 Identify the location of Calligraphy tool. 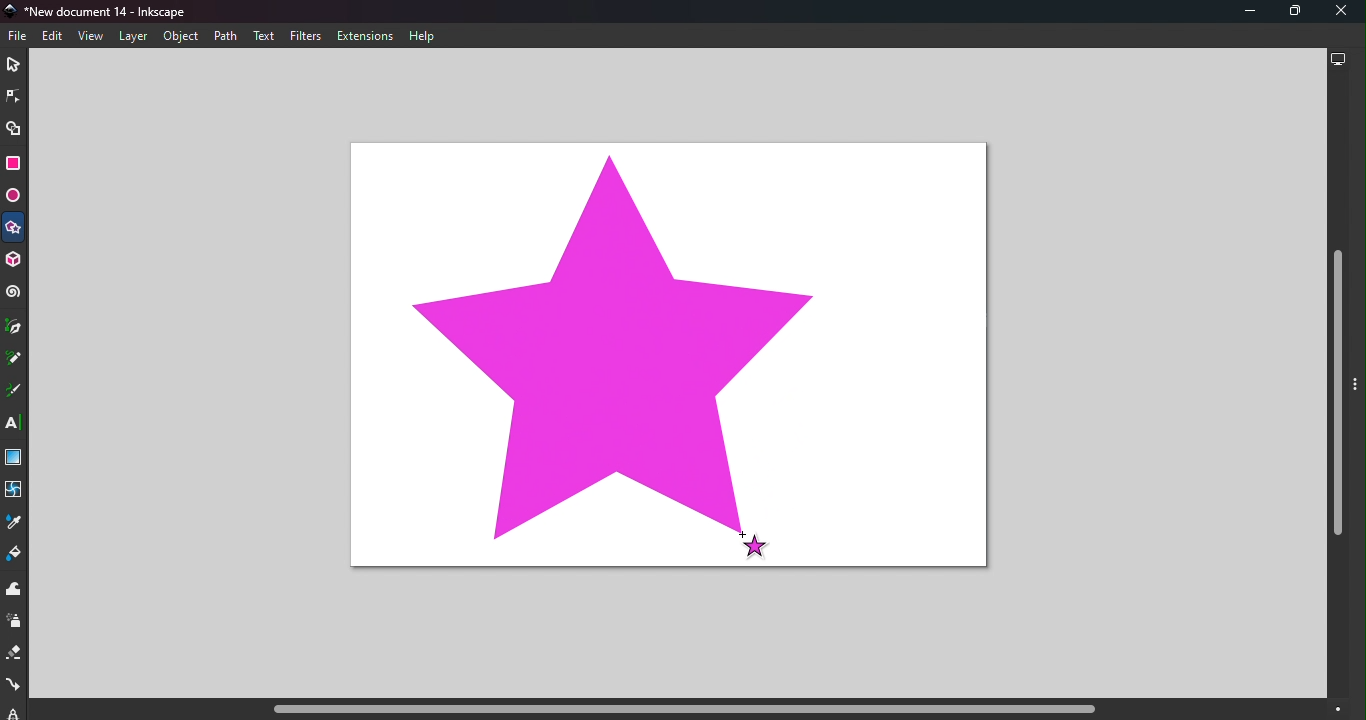
(14, 392).